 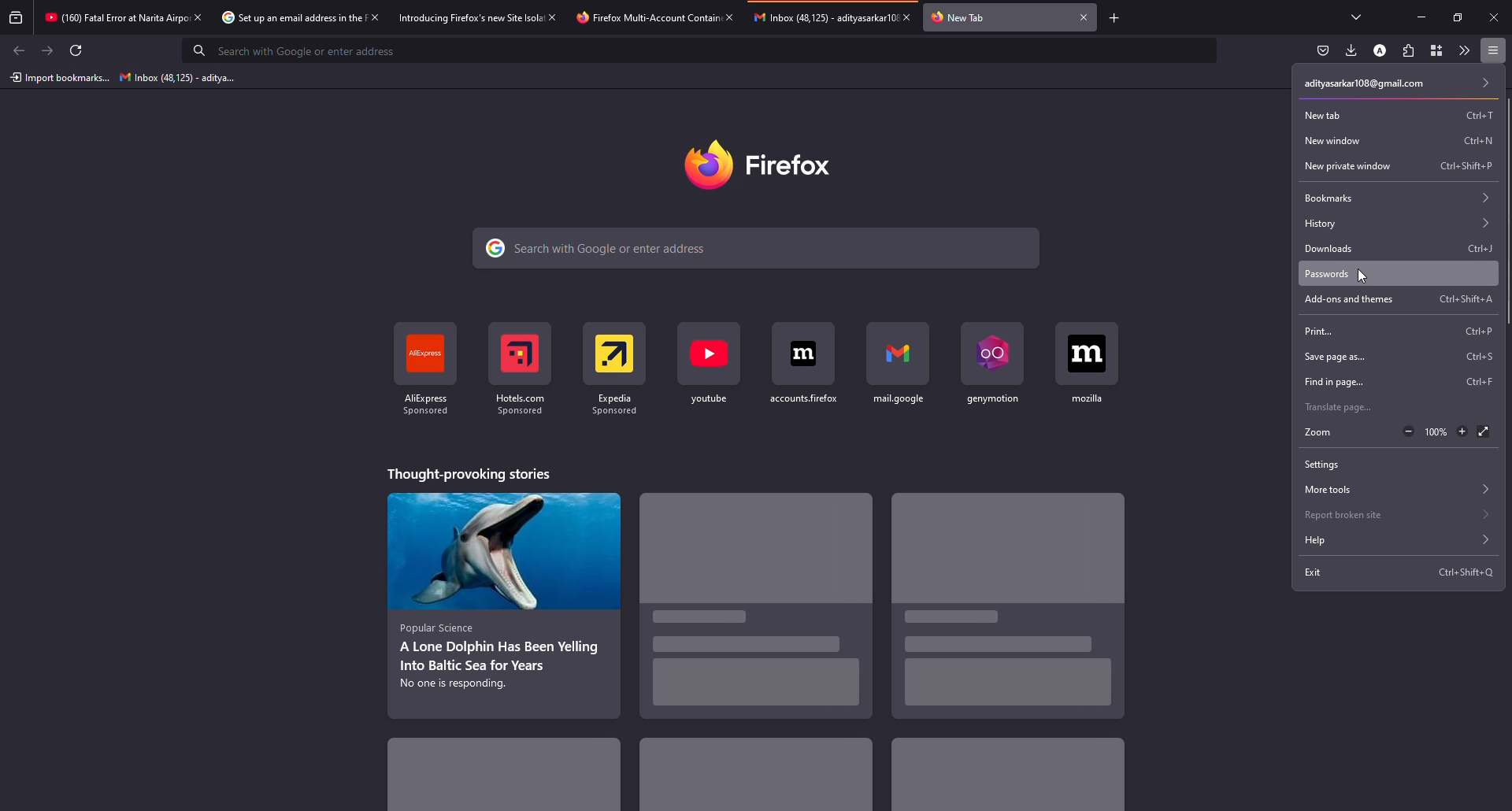 I want to click on tab, so click(x=644, y=17).